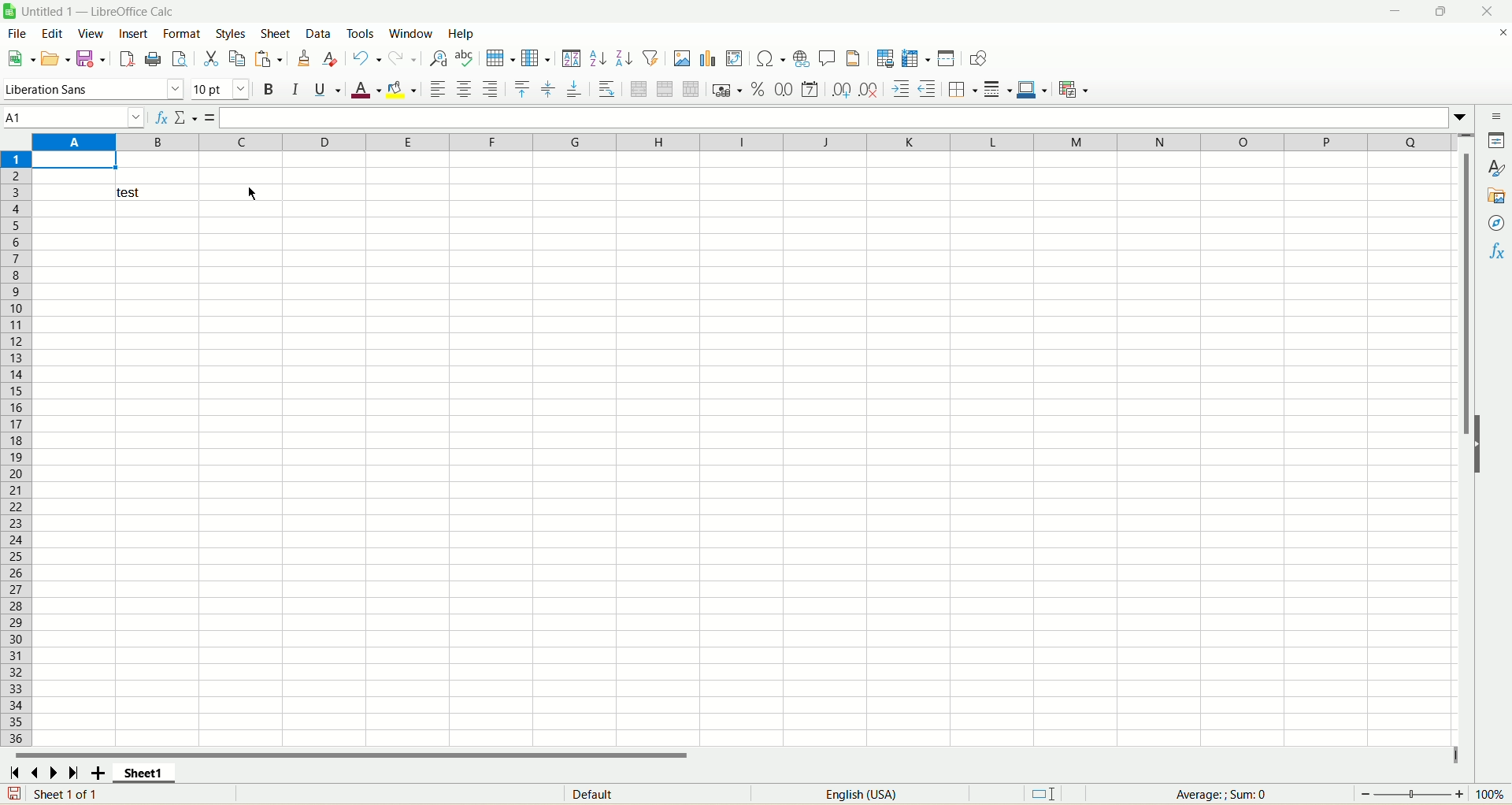 This screenshot has height=805, width=1512. I want to click on Software logo, so click(9, 11).